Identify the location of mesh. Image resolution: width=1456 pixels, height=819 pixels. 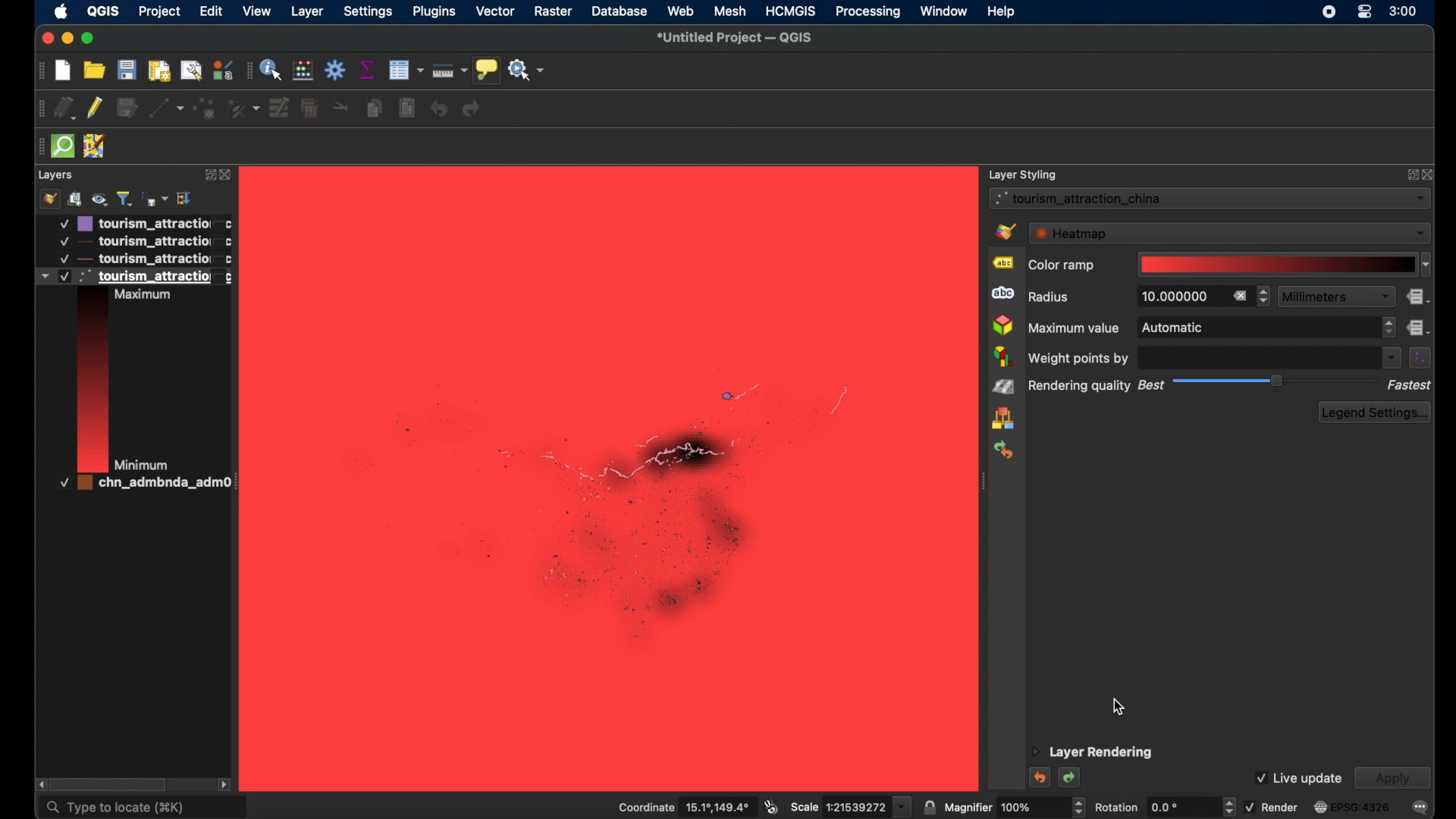
(730, 11).